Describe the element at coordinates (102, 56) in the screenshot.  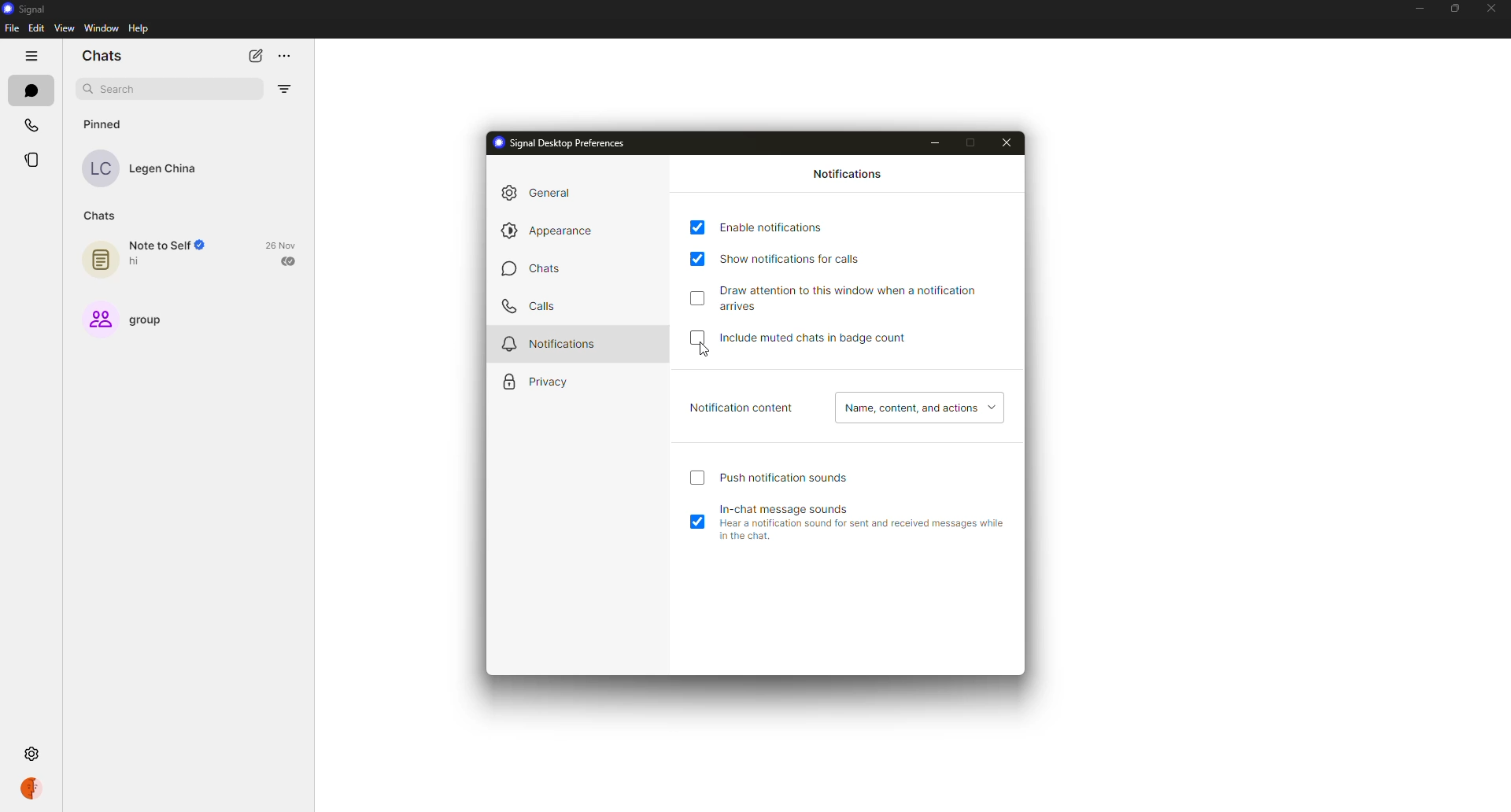
I see `chats` at that location.